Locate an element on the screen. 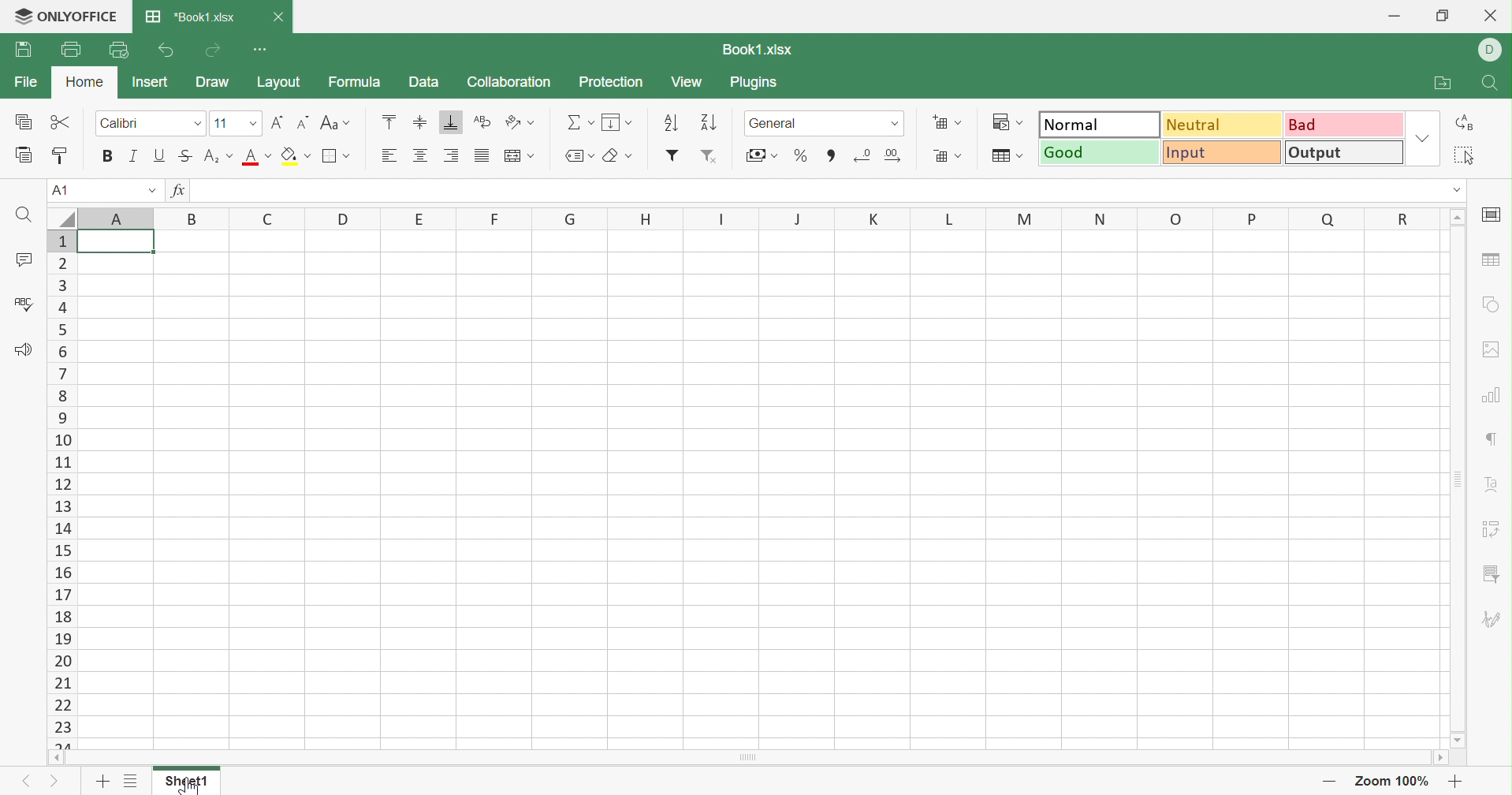 This screenshot has height=795, width=1512. 11 is located at coordinates (223, 121).